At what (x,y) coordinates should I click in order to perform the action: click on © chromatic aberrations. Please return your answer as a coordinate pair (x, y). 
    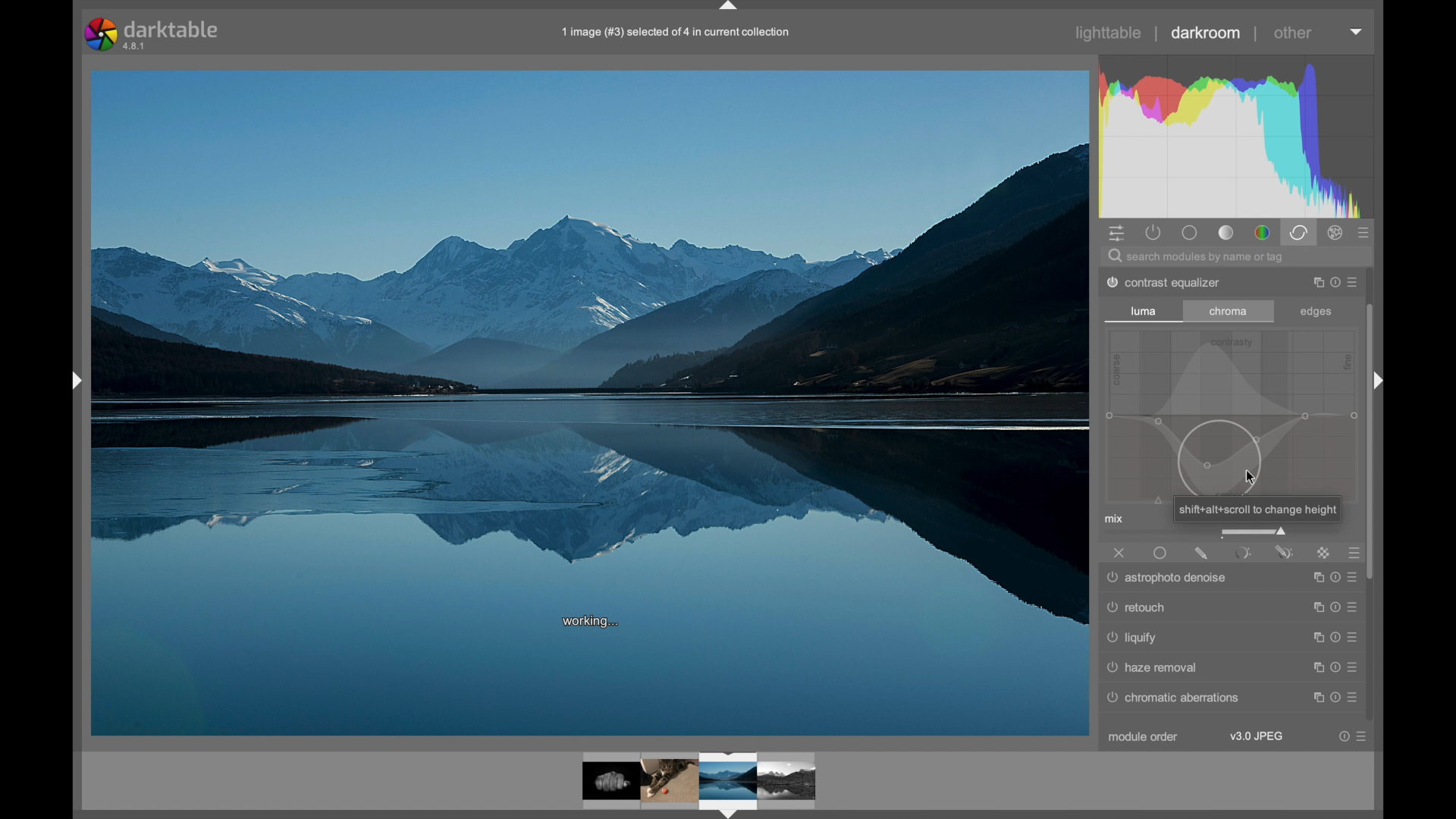
    Looking at the image, I should click on (1185, 698).